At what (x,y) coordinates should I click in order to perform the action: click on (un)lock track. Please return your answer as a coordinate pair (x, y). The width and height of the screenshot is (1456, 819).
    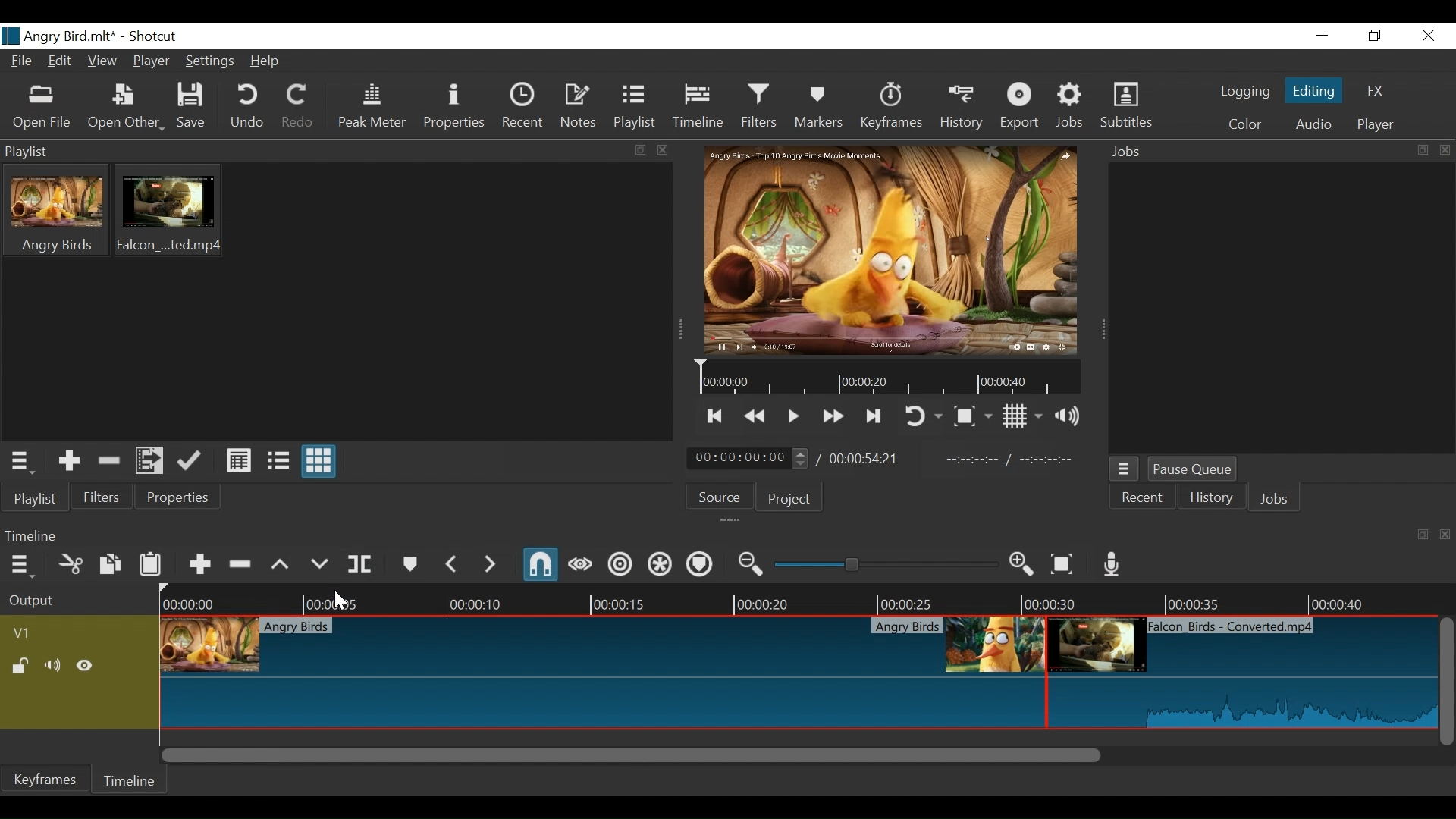
    Looking at the image, I should click on (19, 666).